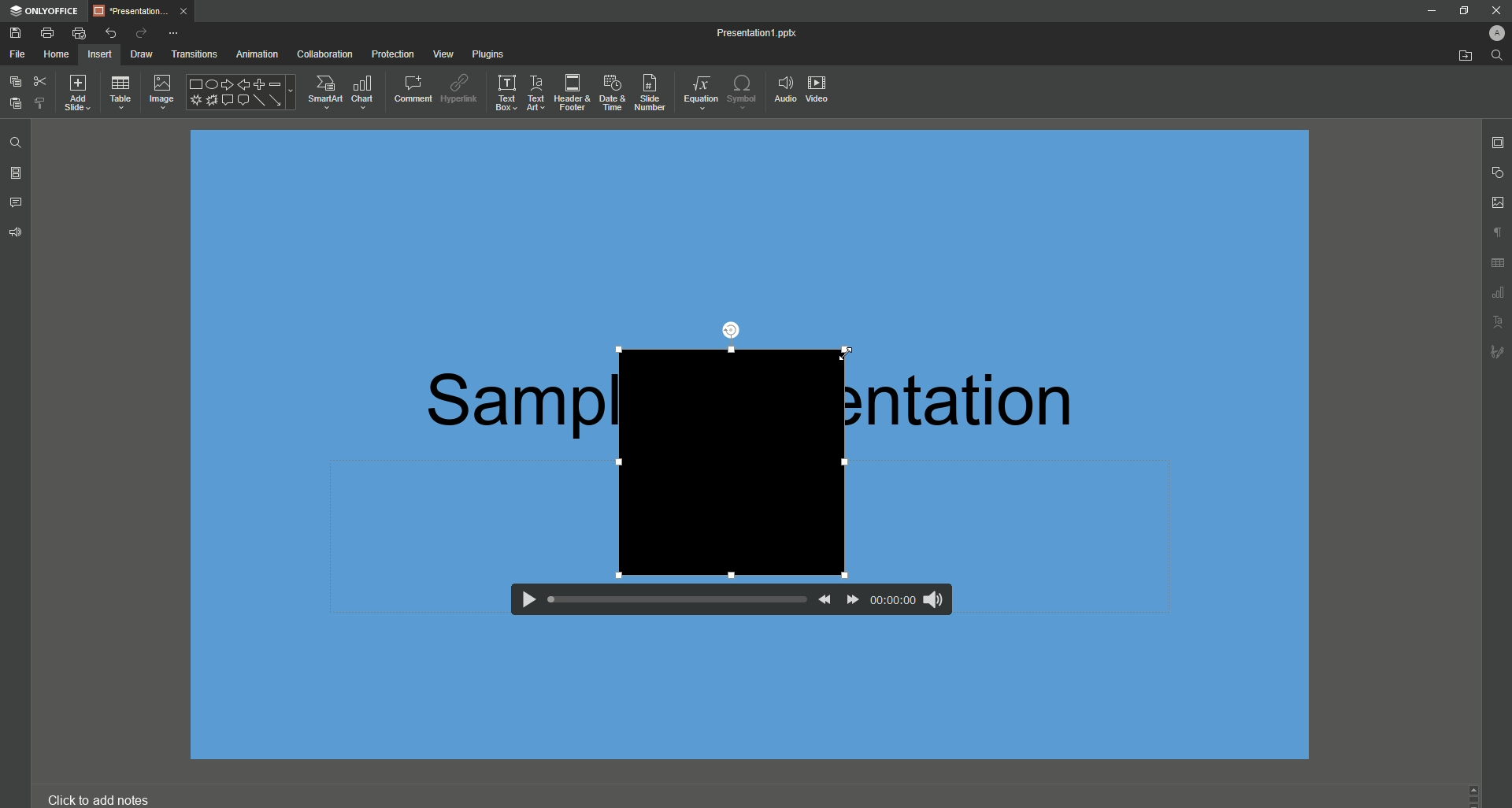 Image resolution: width=1512 pixels, height=808 pixels. Describe the element at coordinates (46, 9) in the screenshot. I see `ONLYOFFICE` at that location.